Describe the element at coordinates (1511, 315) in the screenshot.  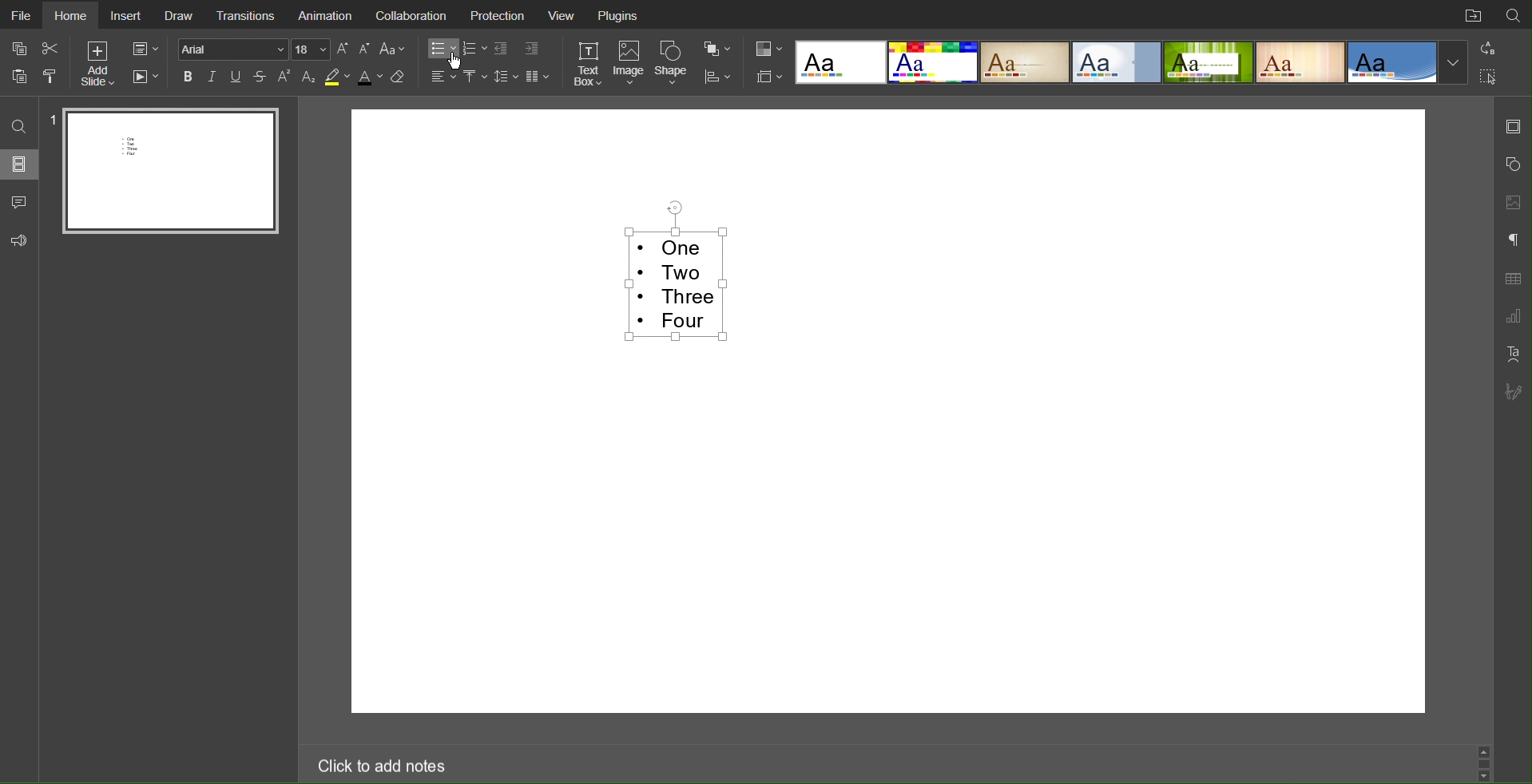
I see `Graph Settings` at that location.